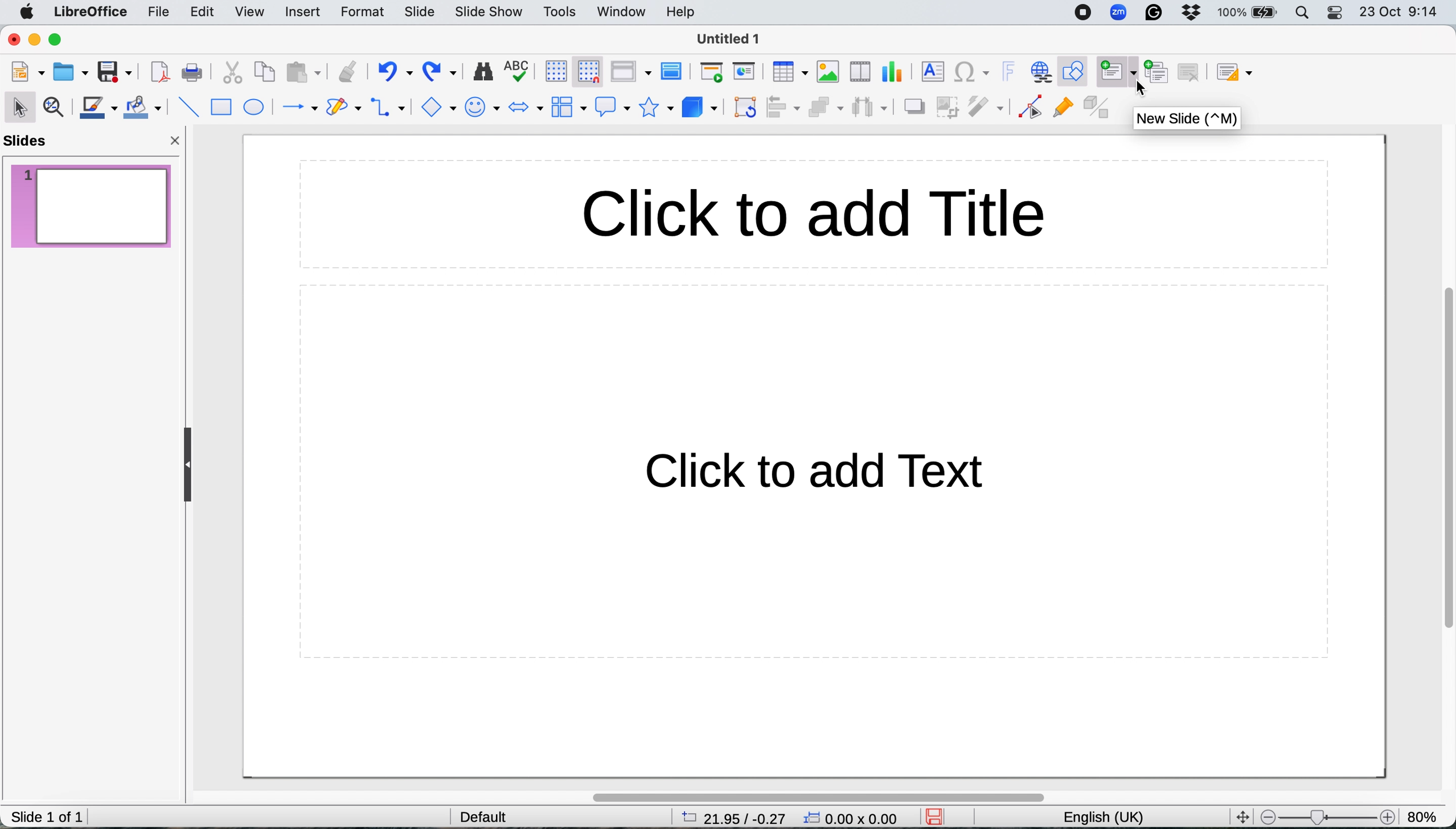 Image resolution: width=1456 pixels, height=829 pixels. Describe the element at coordinates (89, 12) in the screenshot. I see `libreoffice` at that location.